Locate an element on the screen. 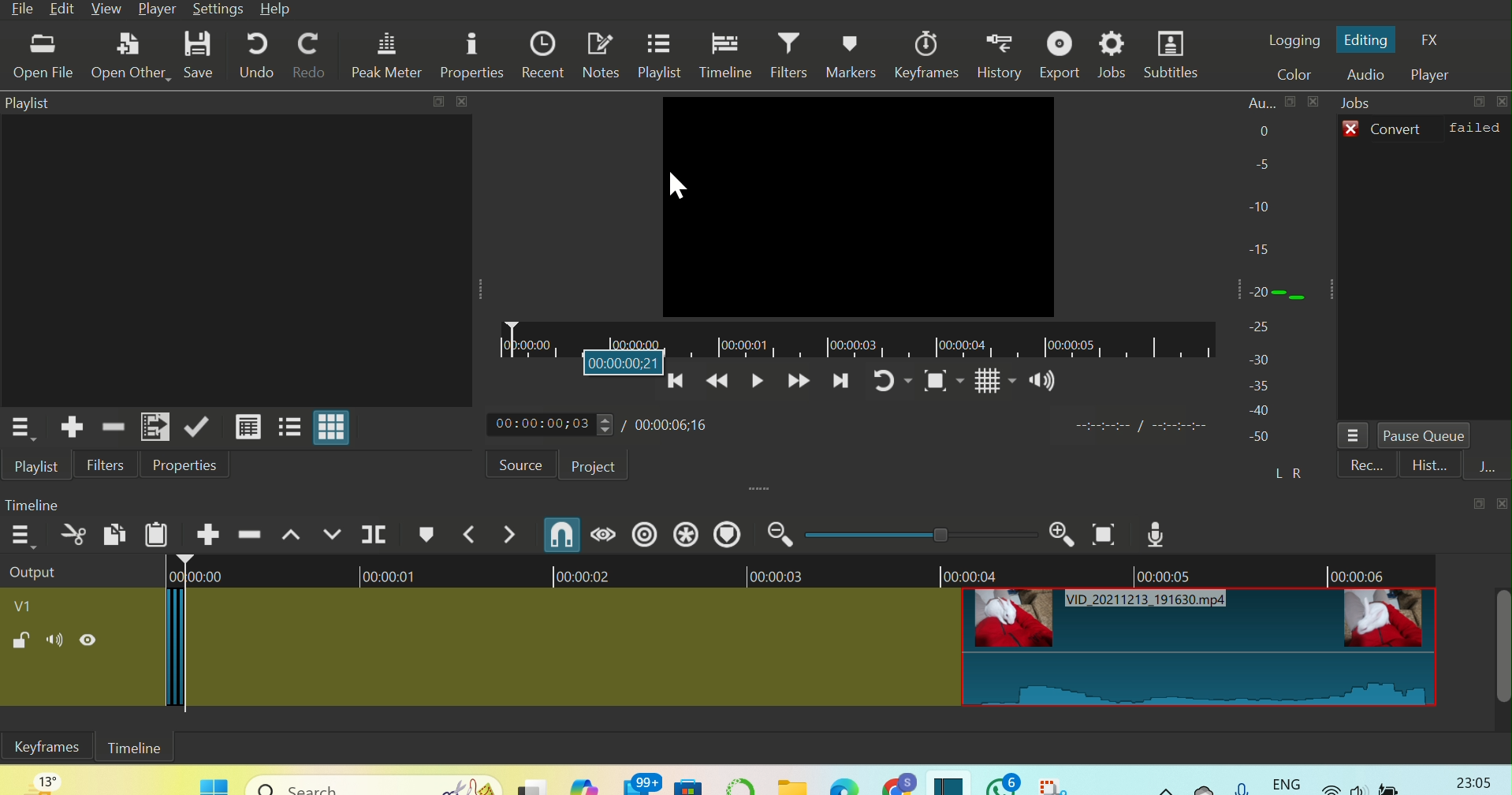  Cursor is located at coordinates (678, 185).